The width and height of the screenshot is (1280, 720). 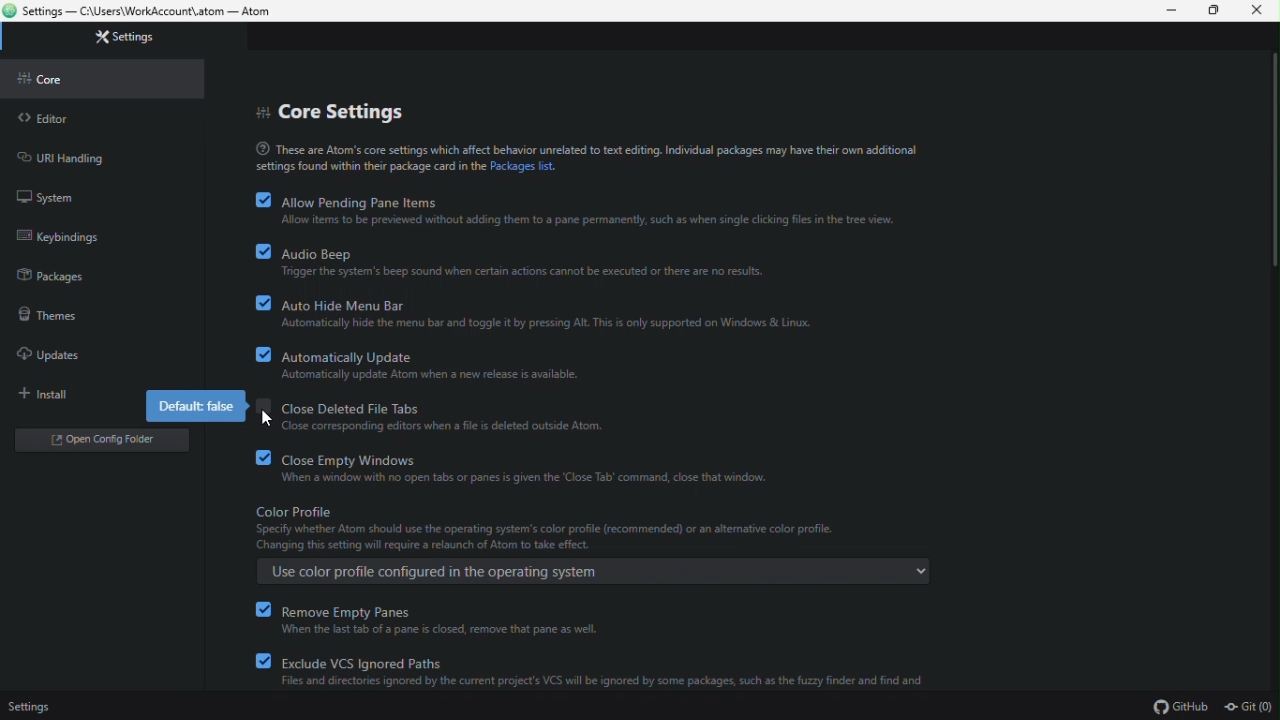 What do you see at coordinates (52, 276) in the screenshot?
I see `packages` at bounding box center [52, 276].